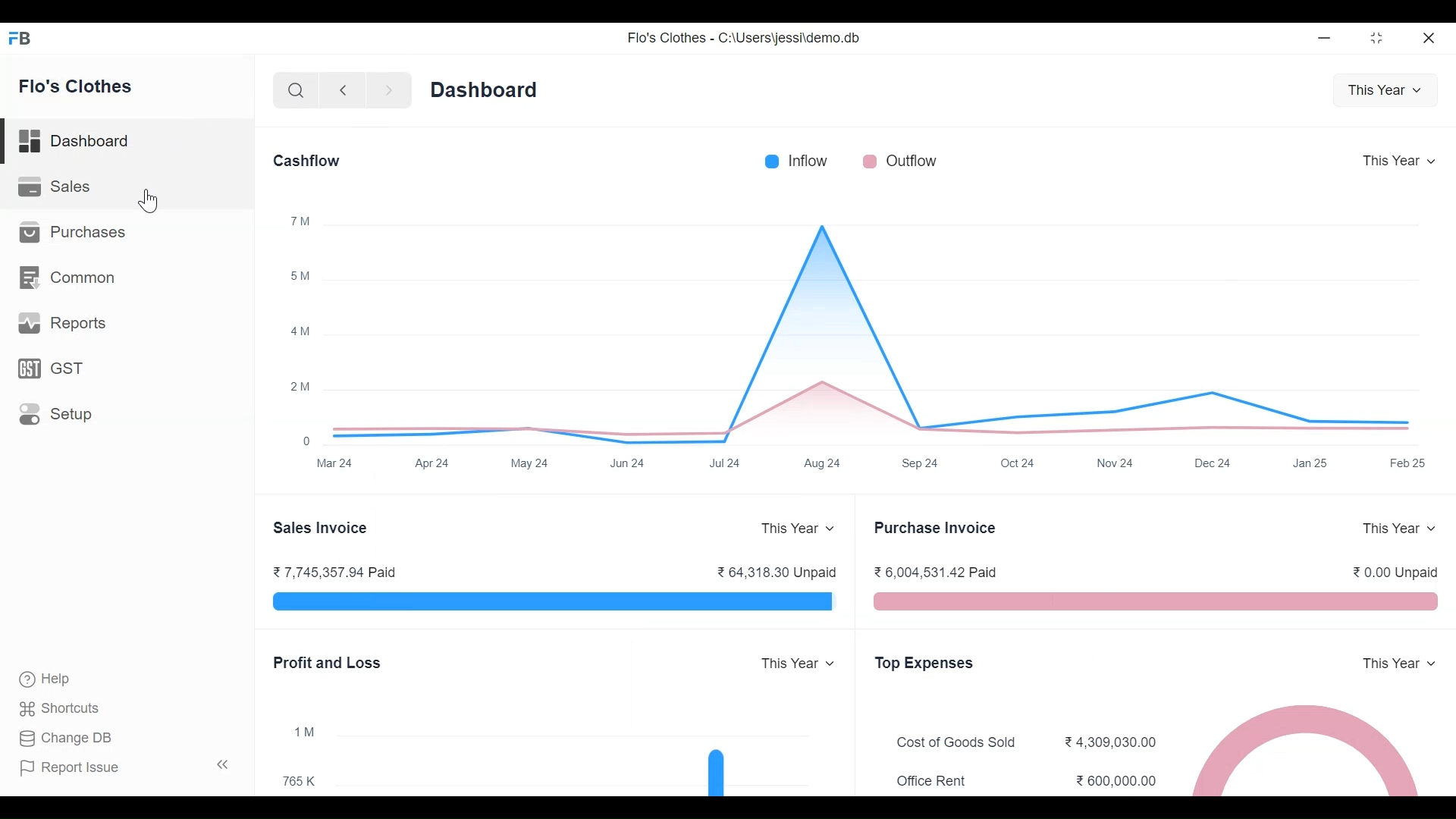 The image size is (1456, 819). Describe the element at coordinates (1388, 91) in the screenshot. I see `This Year` at that location.